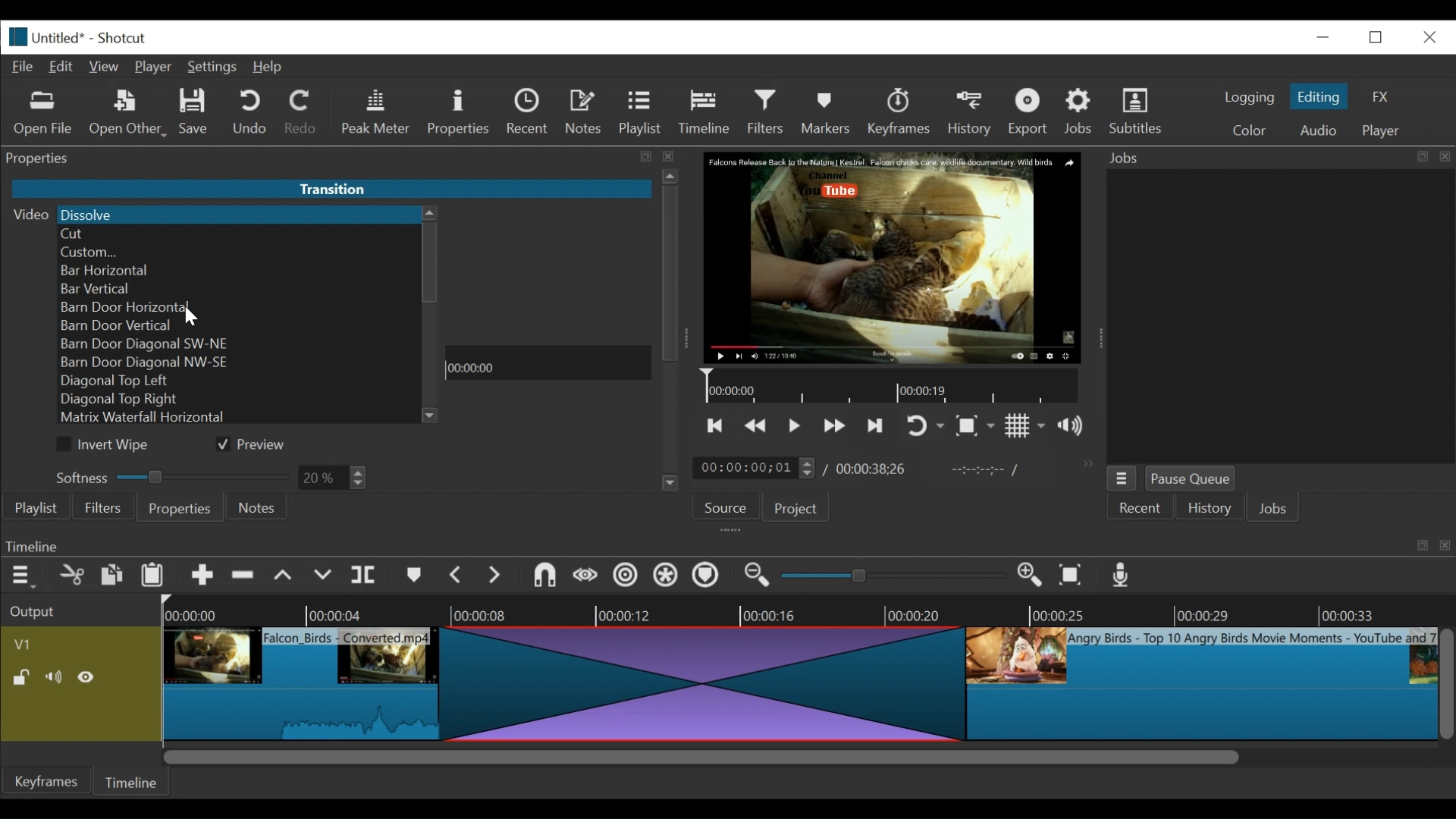  What do you see at coordinates (1248, 132) in the screenshot?
I see `color` at bounding box center [1248, 132].